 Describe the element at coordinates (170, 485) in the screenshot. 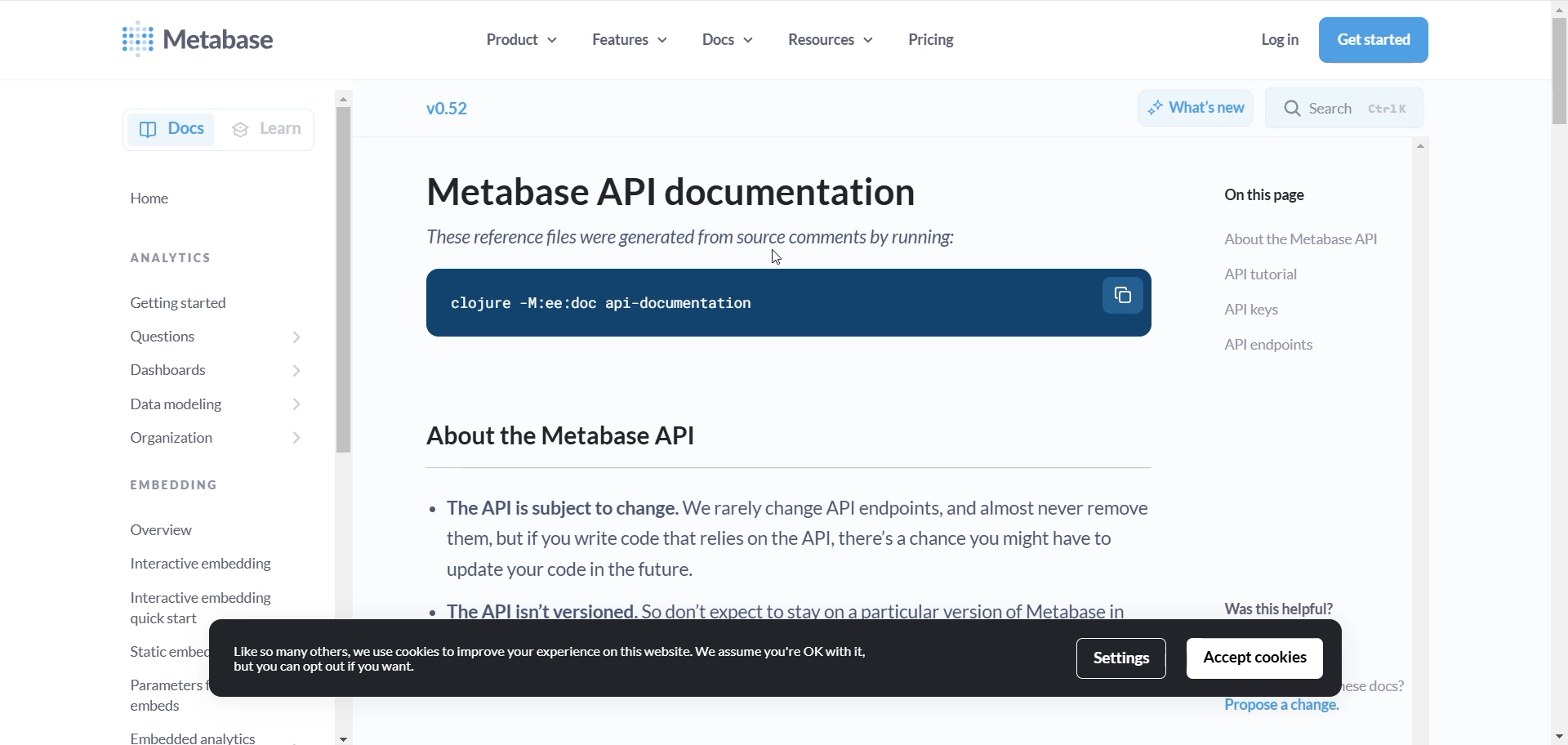

I see `embedding` at that location.